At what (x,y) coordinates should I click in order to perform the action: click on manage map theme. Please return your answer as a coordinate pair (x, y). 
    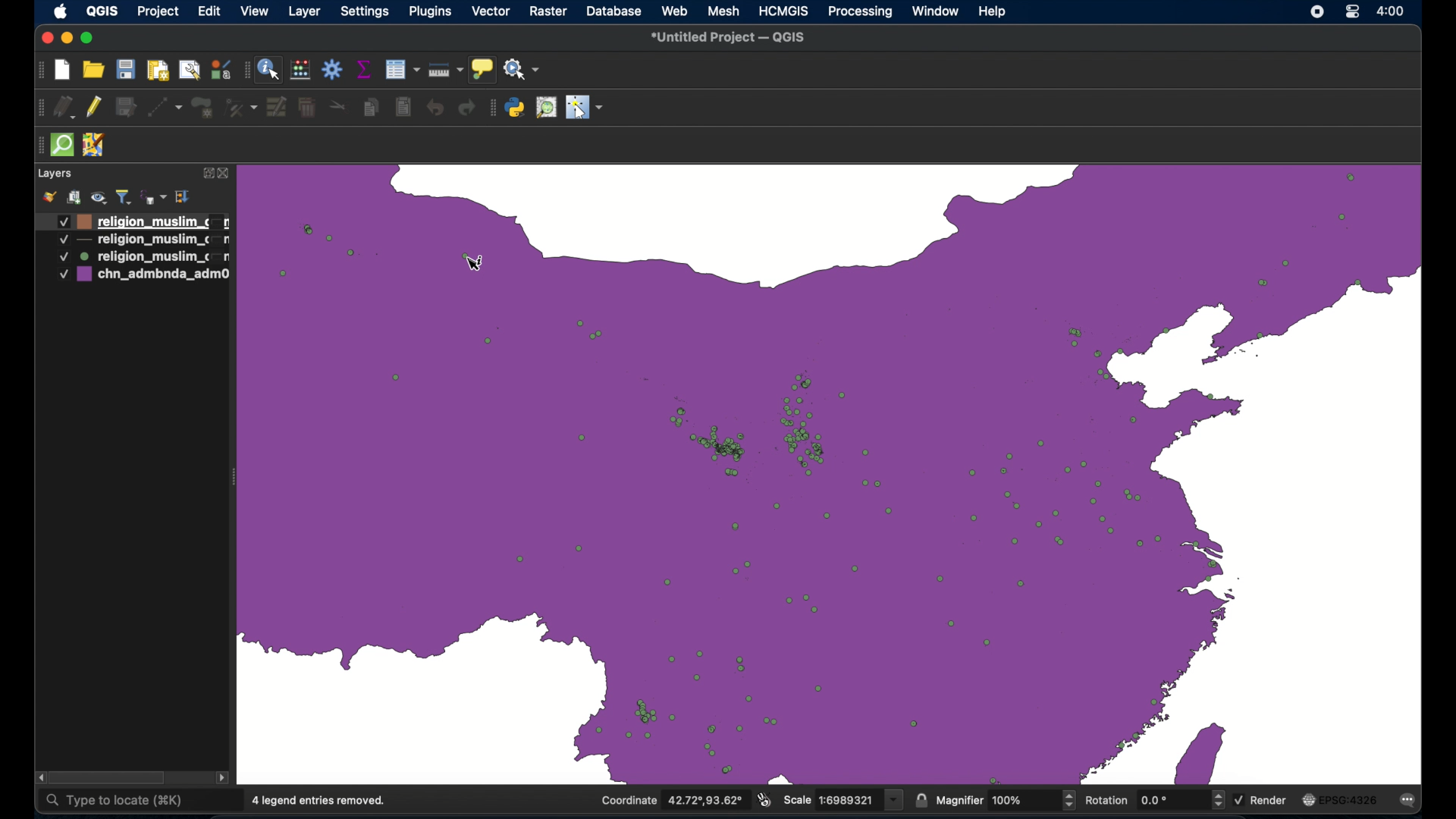
    Looking at the image, I should click on (99, 196).